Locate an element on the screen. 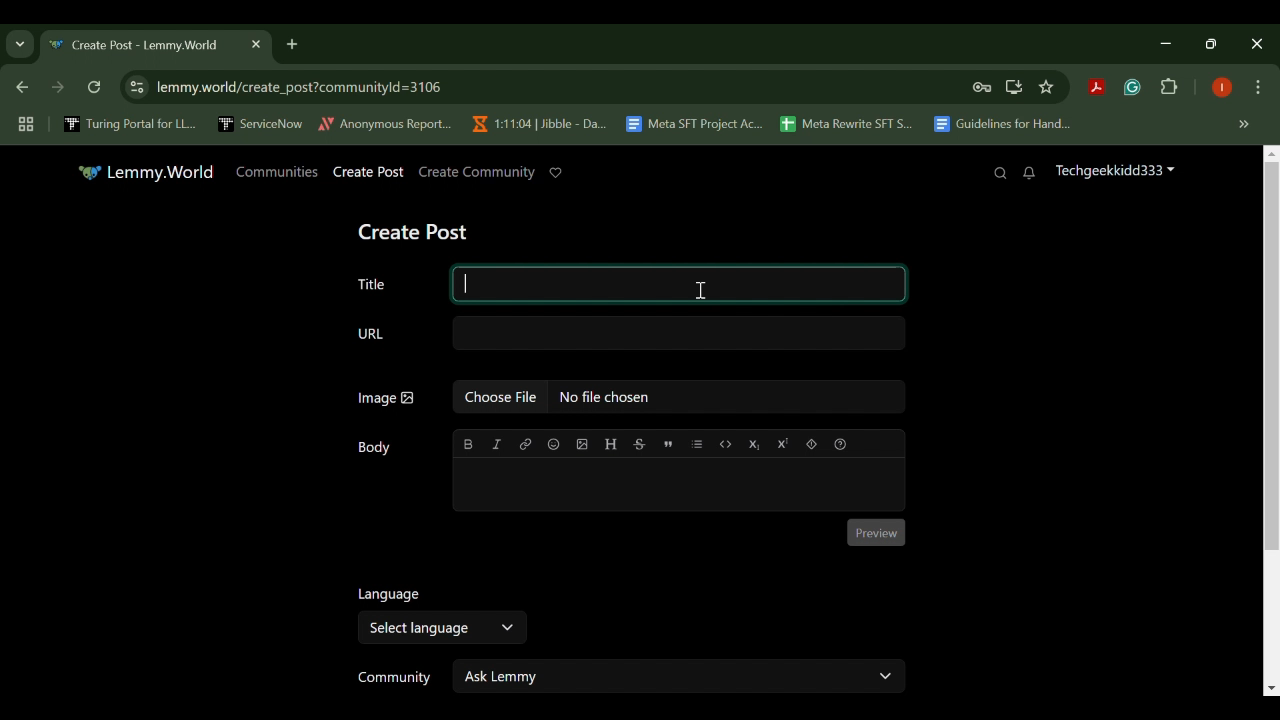 The image size is (1280, 720). Language is located at coordinates (386, 593).